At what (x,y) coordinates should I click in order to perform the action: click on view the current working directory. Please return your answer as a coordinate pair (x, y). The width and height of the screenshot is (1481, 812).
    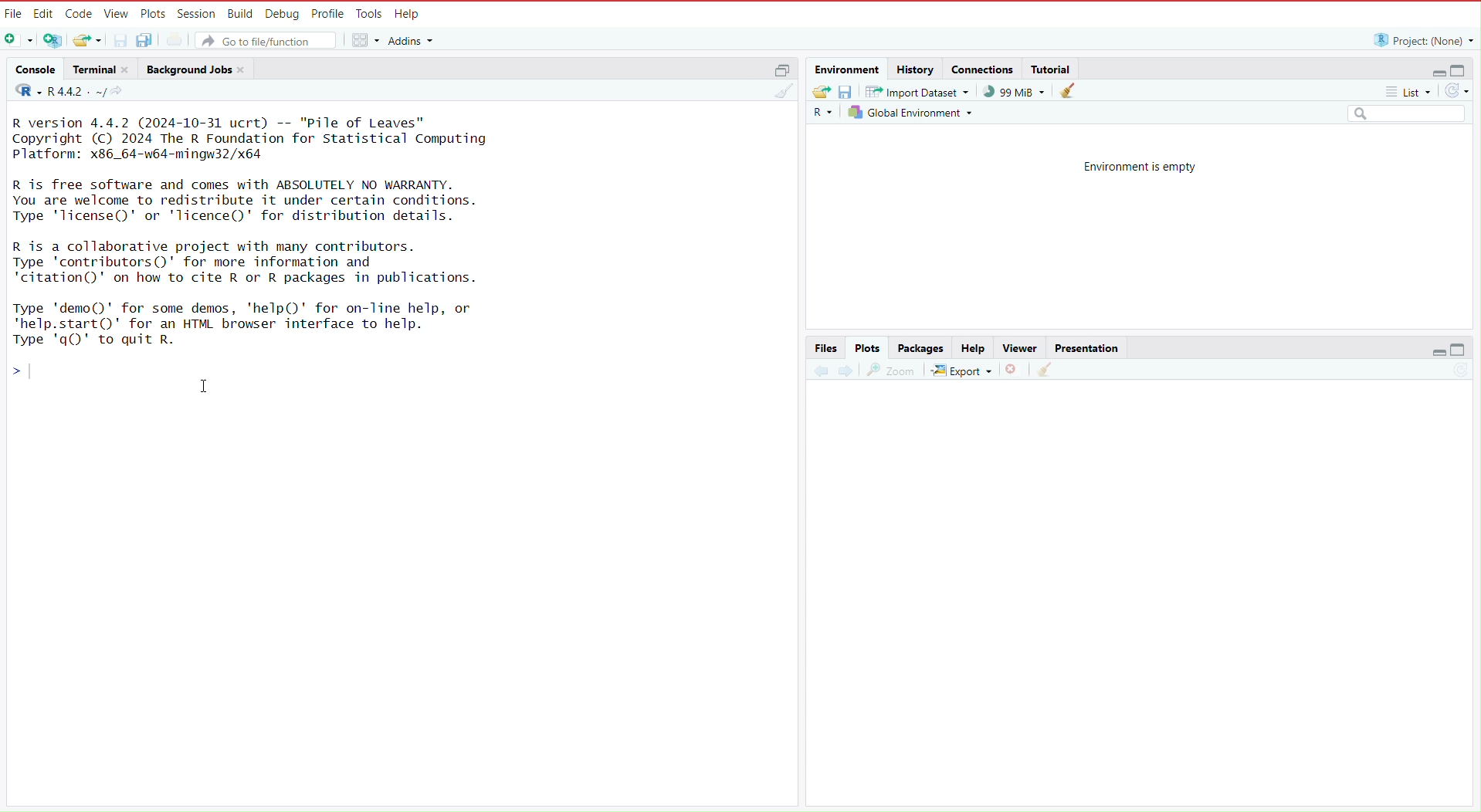
    Looking at the image, I should click on (121, 92).